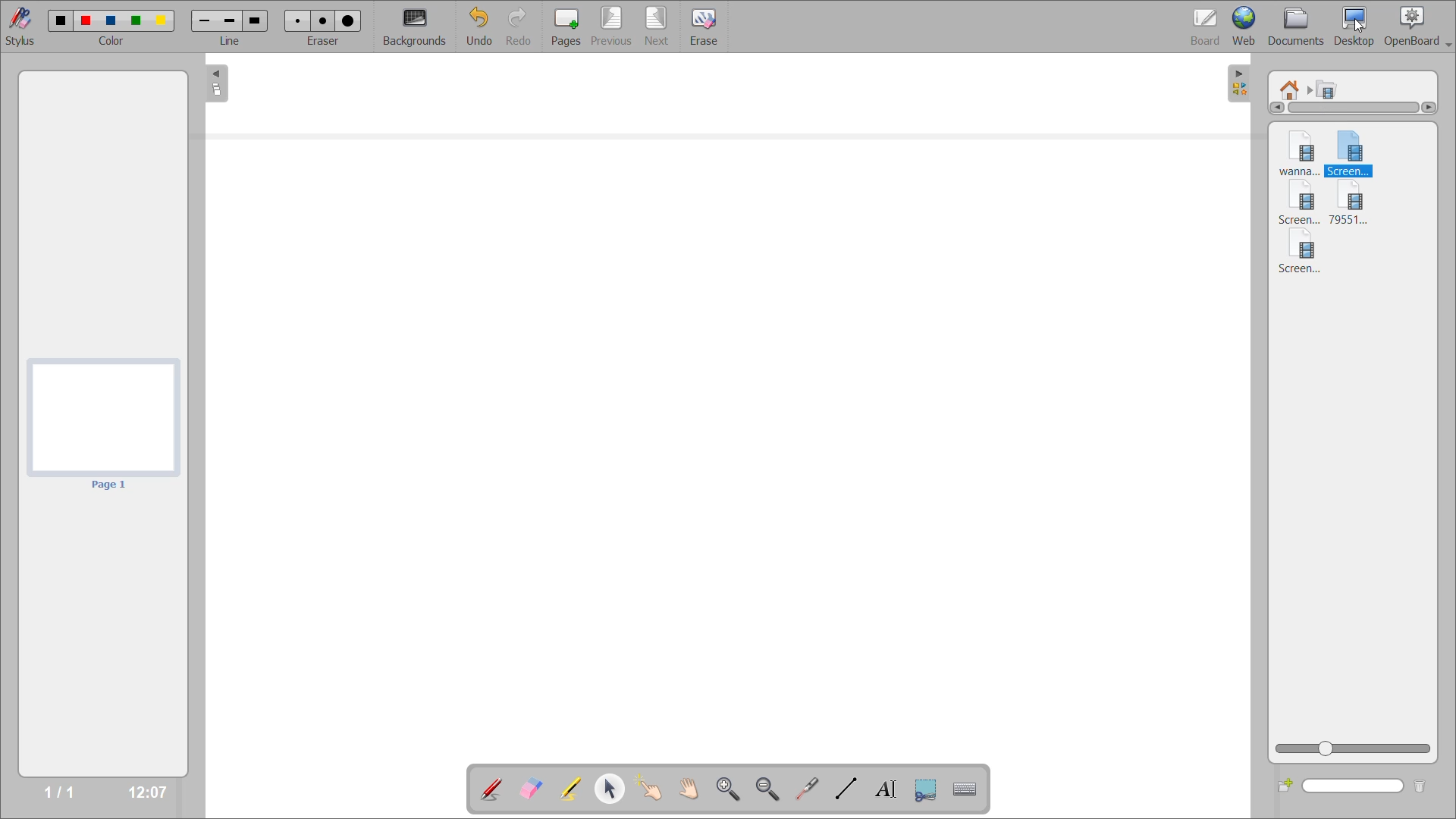 This screenshot has width=1456, height=819. What do you see at coordinates (136, 20) in the screenshot?
I see `color 4` at bounding box center [136, 20].